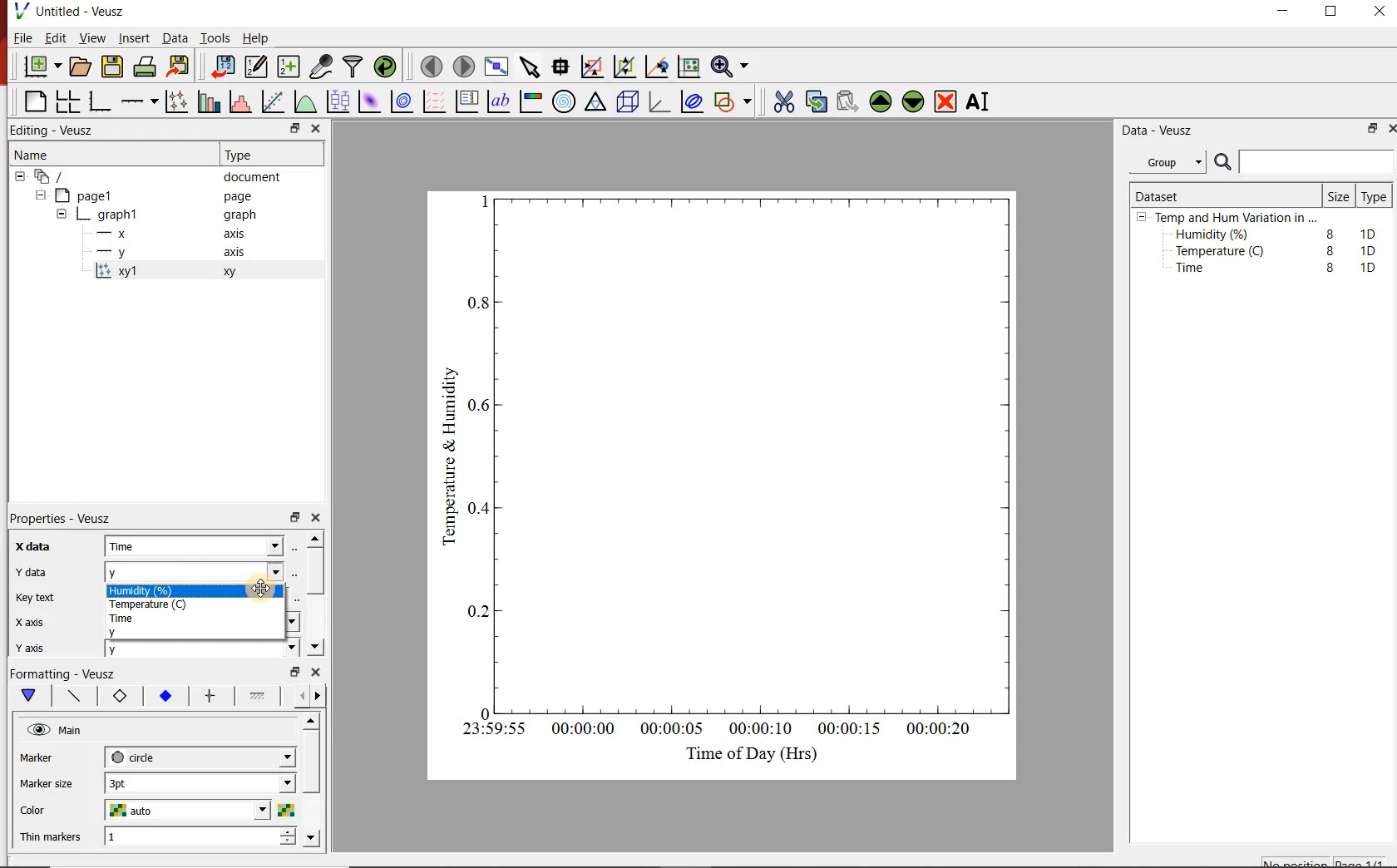 Image resolution: width=1397 pixels, height=868 pixels. I want to click on Color, so click(52, 811).